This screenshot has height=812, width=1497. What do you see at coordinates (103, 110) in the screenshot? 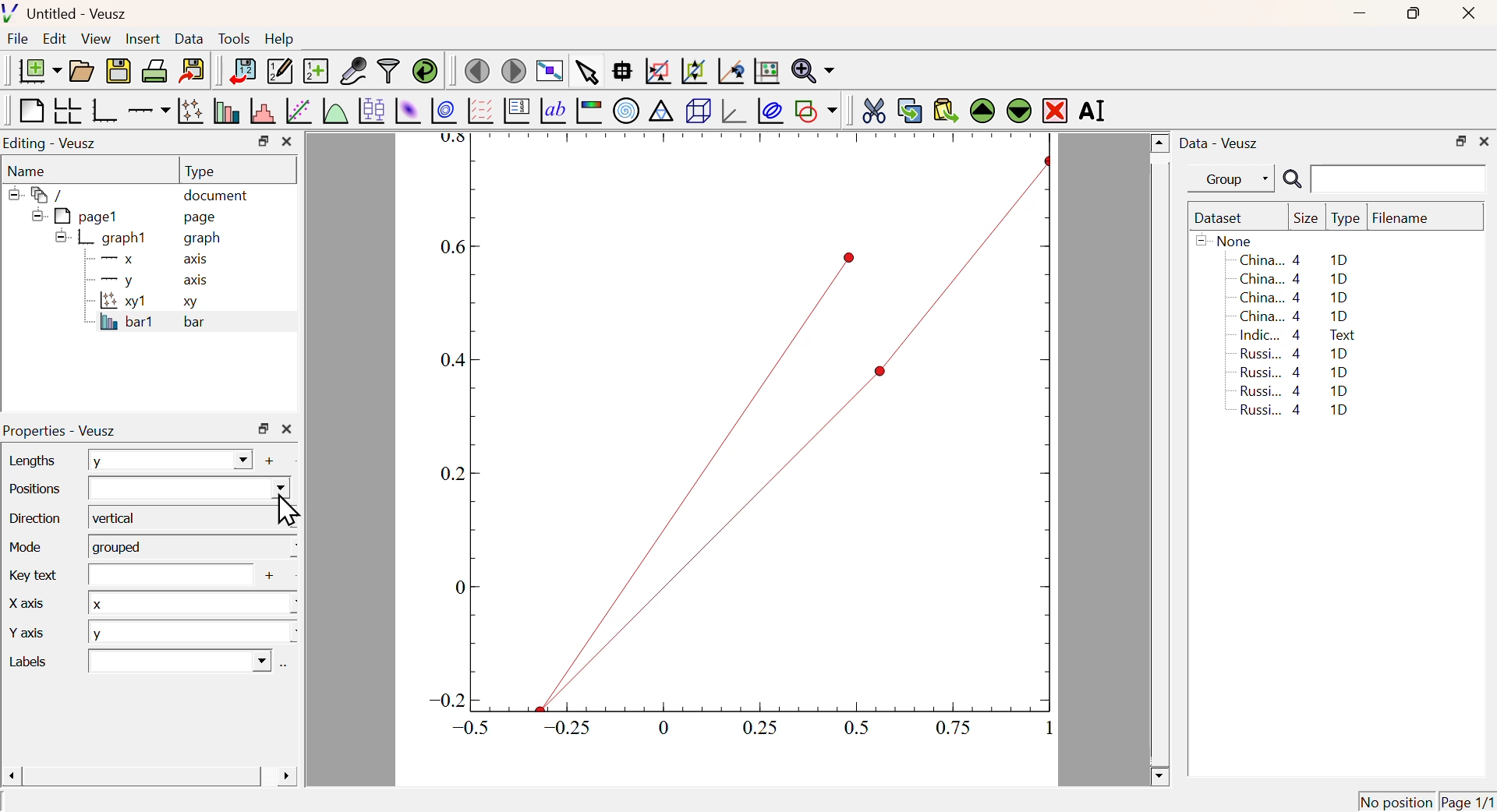
I see `Base Graph` at bounding box center [103, 110].